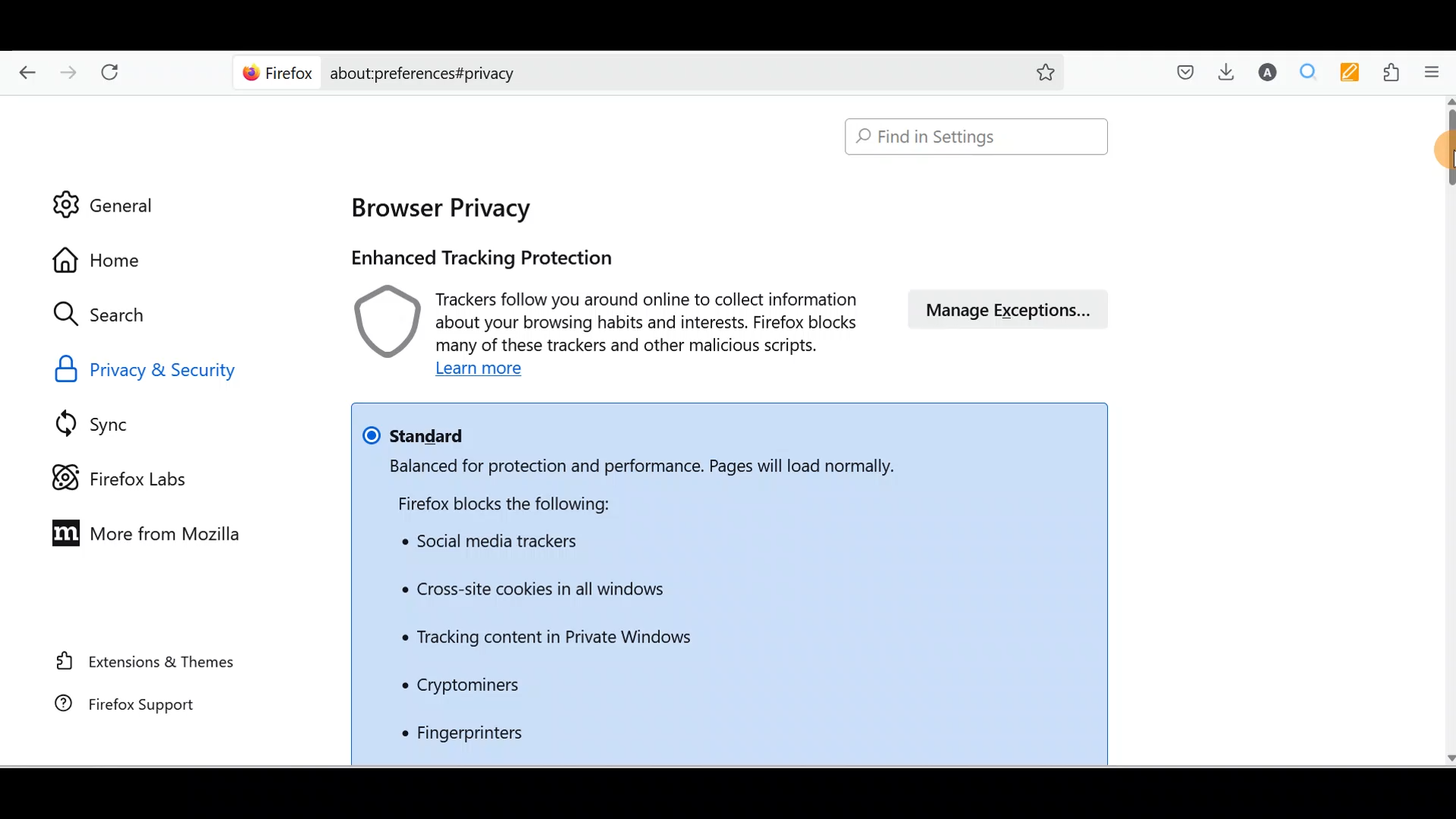  Describe the element at coordinates (163, 372) in the screenshot. I see `Privacy & Security` at that location.